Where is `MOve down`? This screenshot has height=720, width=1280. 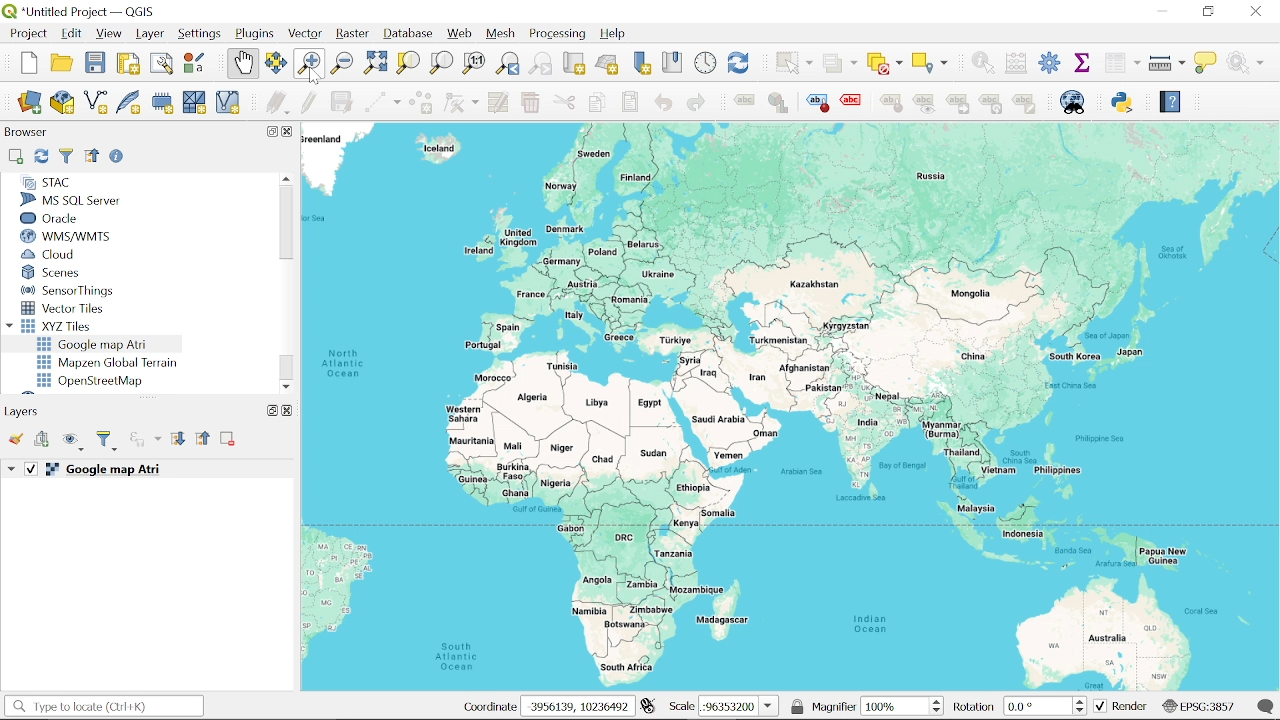
MOve down is located at coordinates (287, 384).